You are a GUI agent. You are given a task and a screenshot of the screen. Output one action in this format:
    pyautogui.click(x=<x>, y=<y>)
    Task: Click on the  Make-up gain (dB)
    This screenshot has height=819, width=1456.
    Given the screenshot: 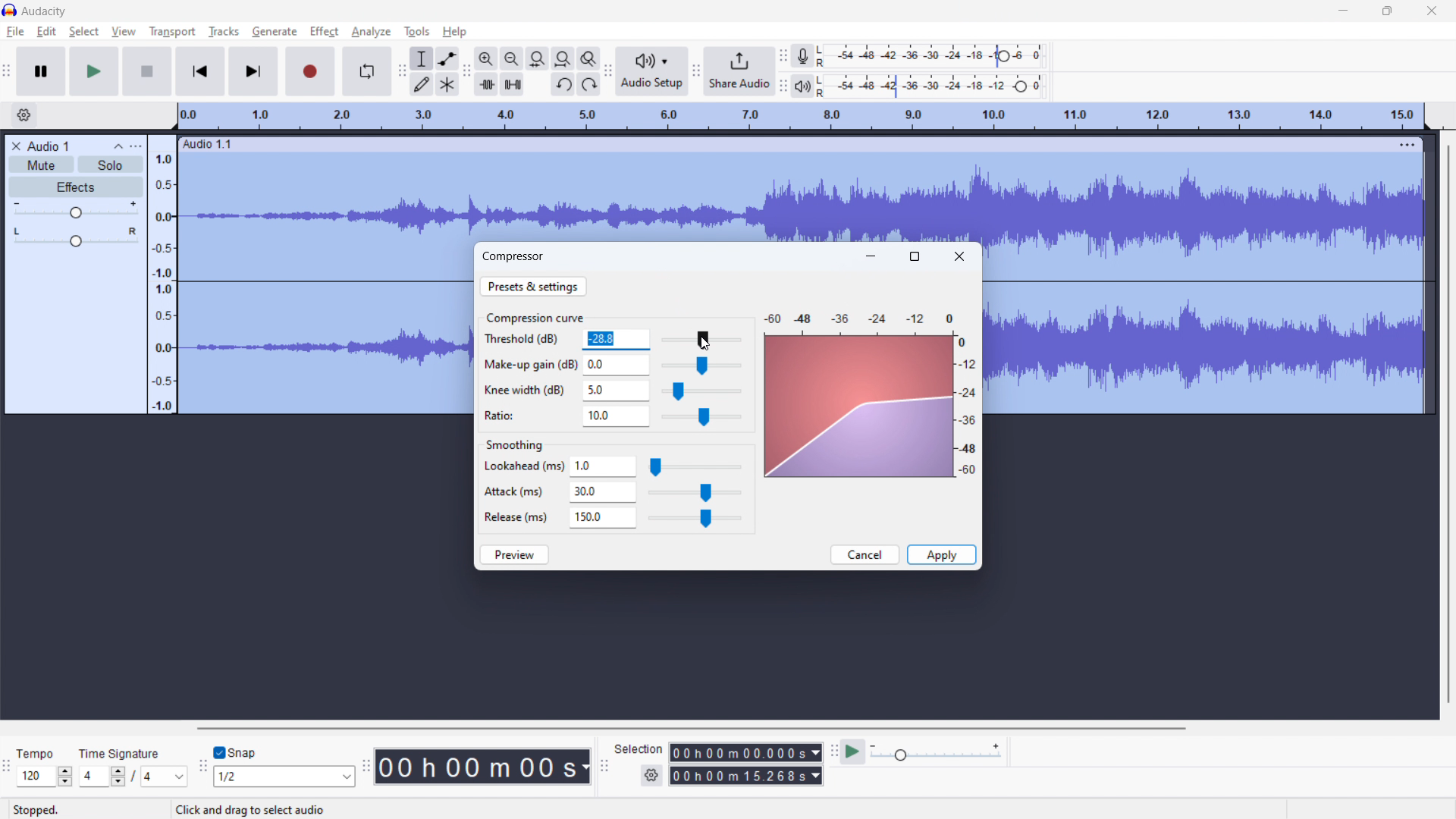 What is the action you would take?
    pyautogui.click(x=529, y=362)
    